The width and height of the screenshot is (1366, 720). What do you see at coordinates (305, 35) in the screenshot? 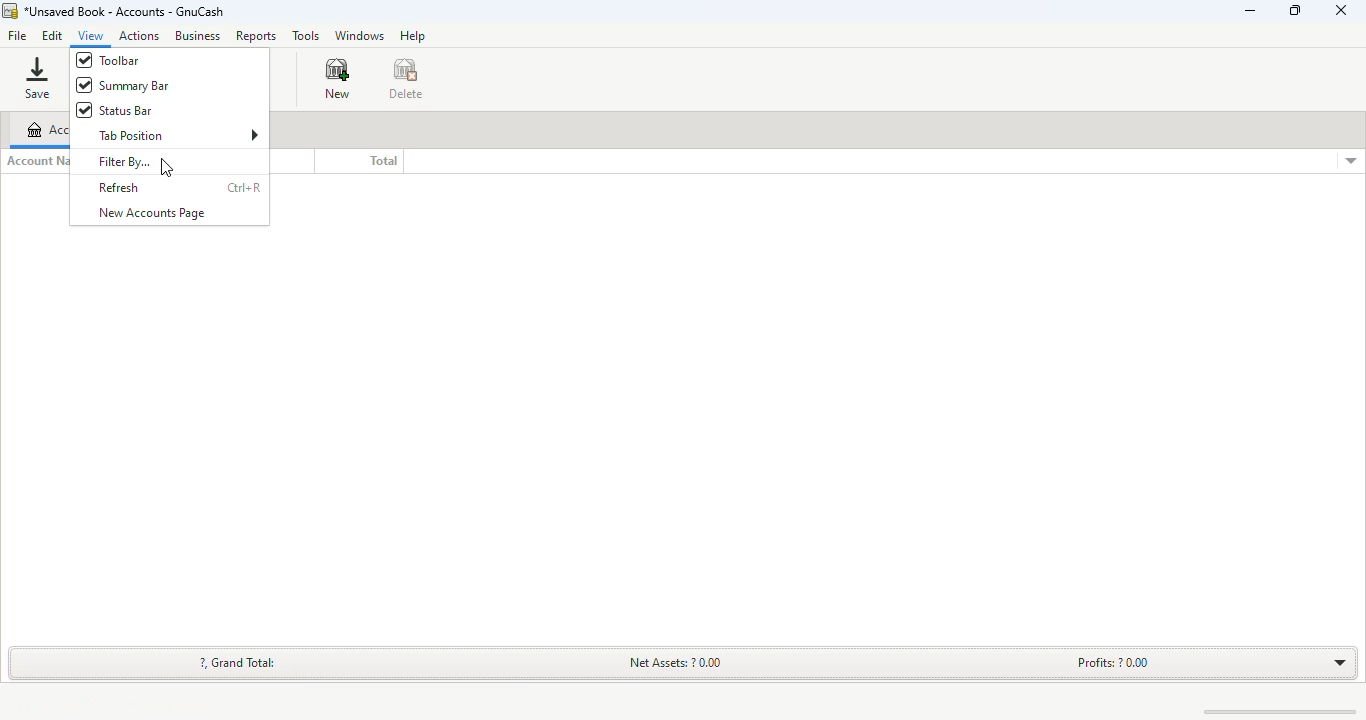
I see `tools` at bounding box center [305, 35].